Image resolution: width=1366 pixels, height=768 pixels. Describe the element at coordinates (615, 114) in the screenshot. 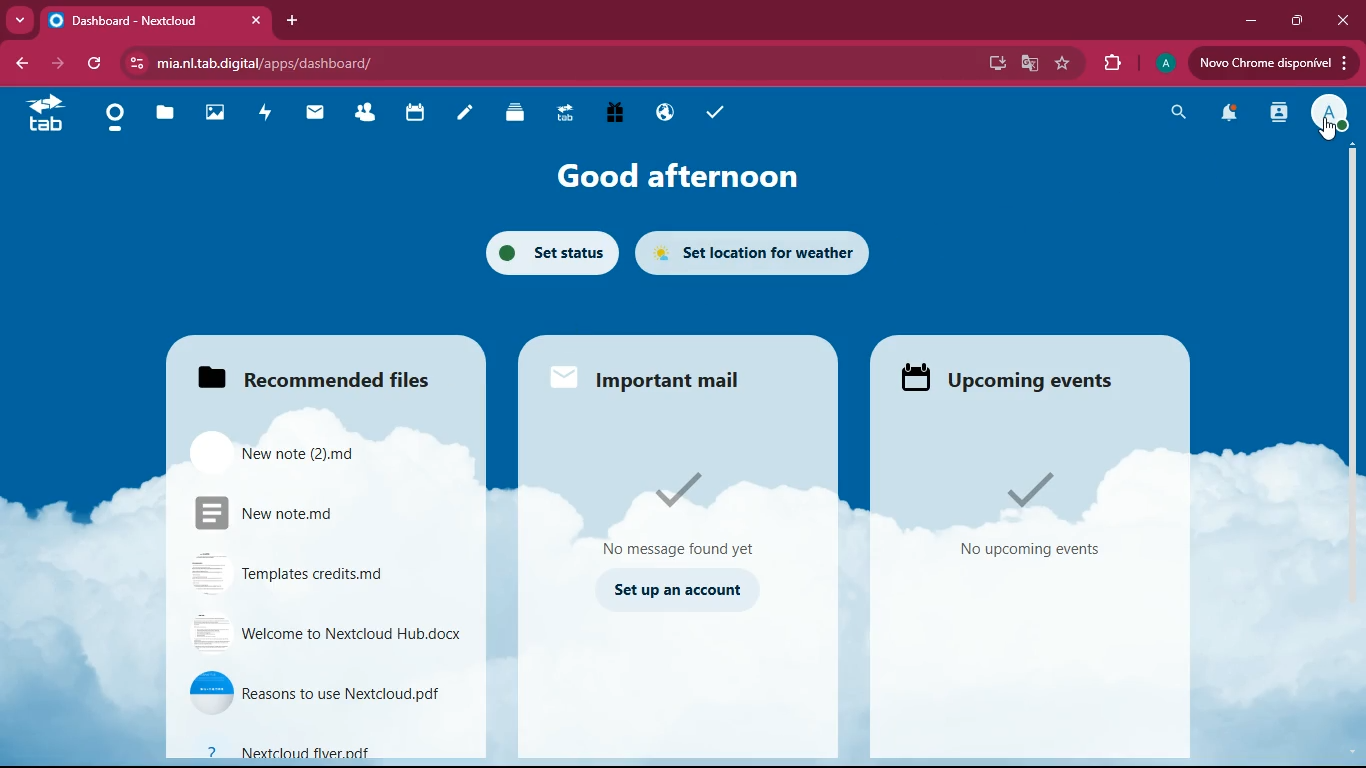

I see `gift` at that location.